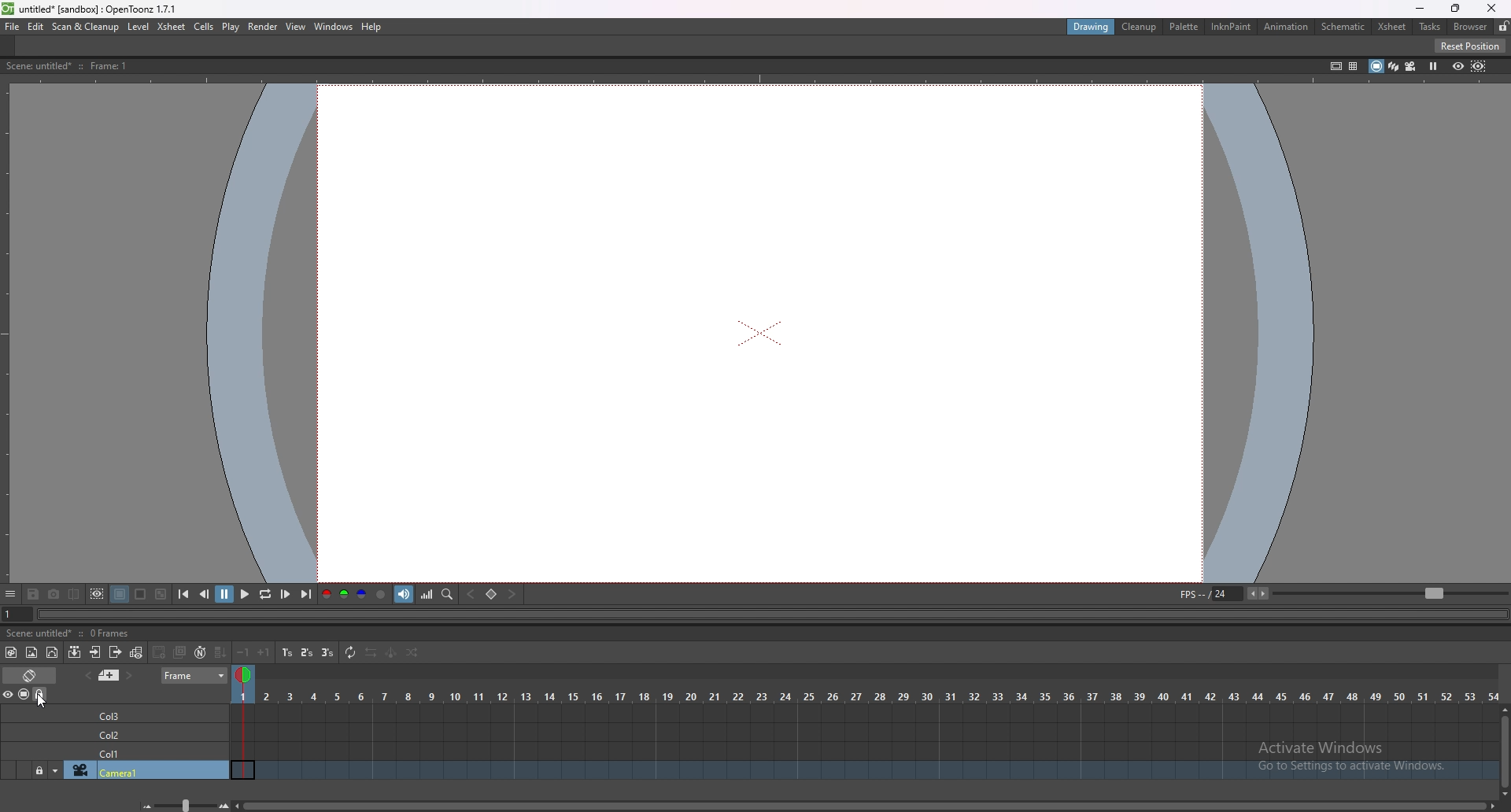 Image resolution: width=1511 pixels, height=812 pixels. What do you see at coordinates (390, 654) in the screenshot?
I see `swing` at bounding box center [390, 654].